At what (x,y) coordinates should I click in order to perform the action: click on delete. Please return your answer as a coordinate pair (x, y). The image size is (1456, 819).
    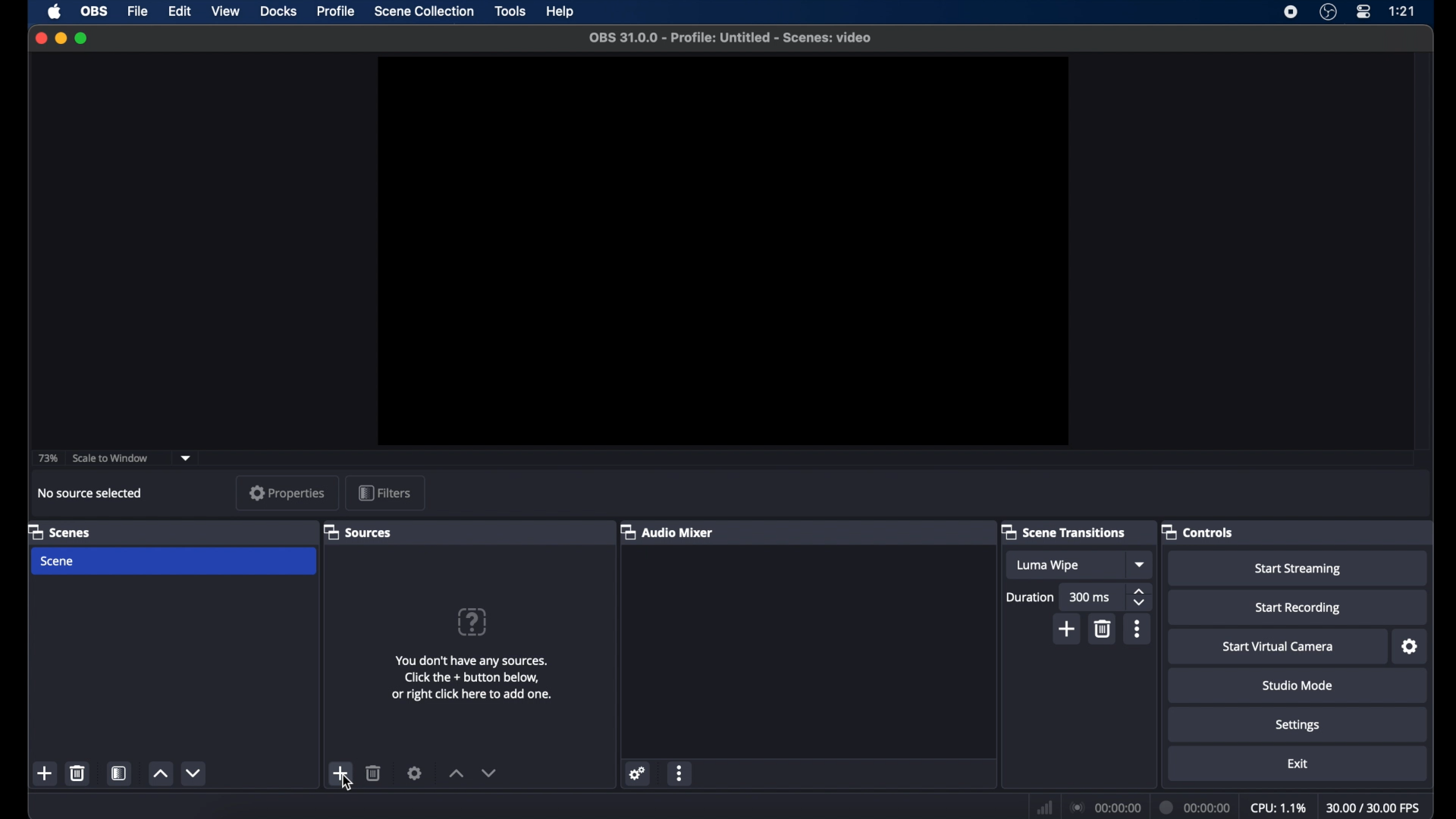
    Looking at the image, I should click on (373, 772).